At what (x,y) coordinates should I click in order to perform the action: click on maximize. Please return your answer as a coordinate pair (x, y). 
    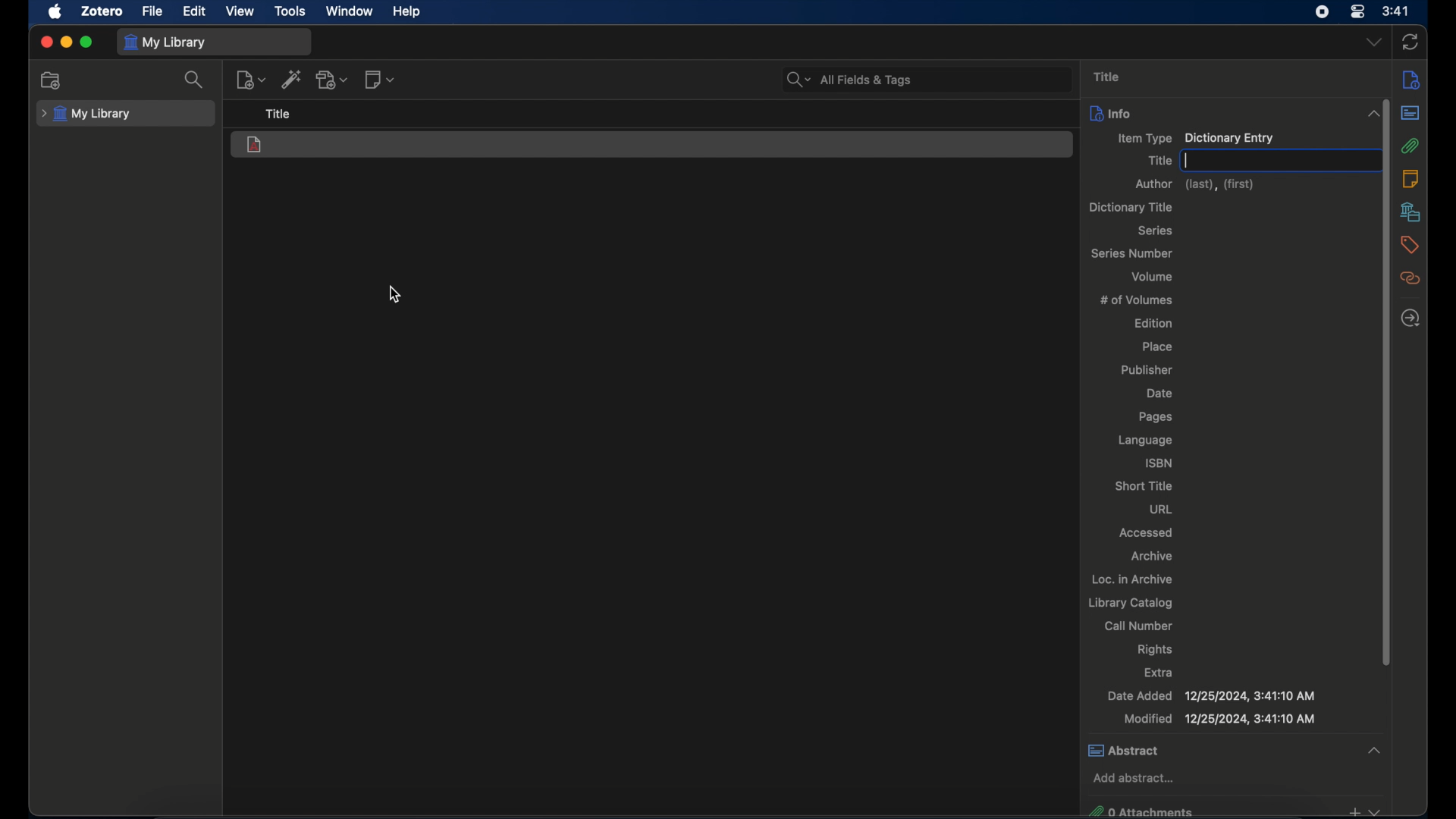
    Looking at the image, I should click on (86, 42).